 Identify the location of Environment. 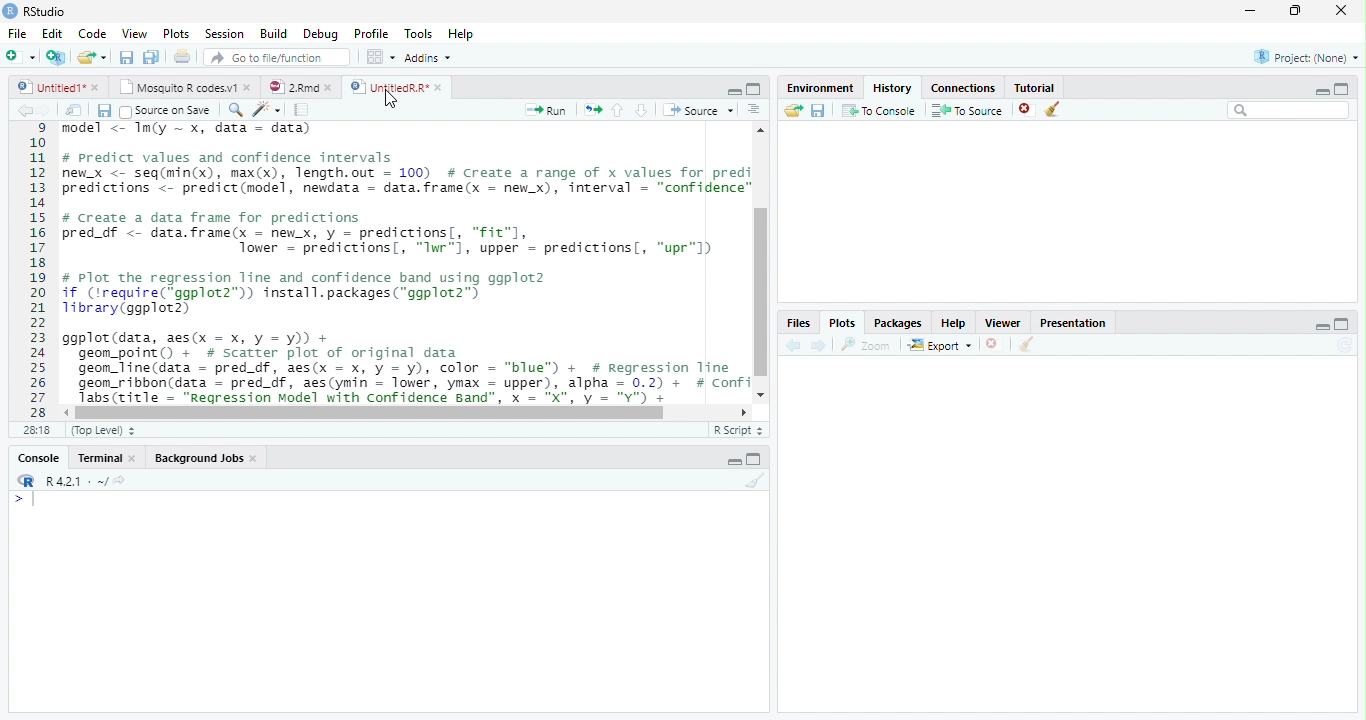
(820, 88).